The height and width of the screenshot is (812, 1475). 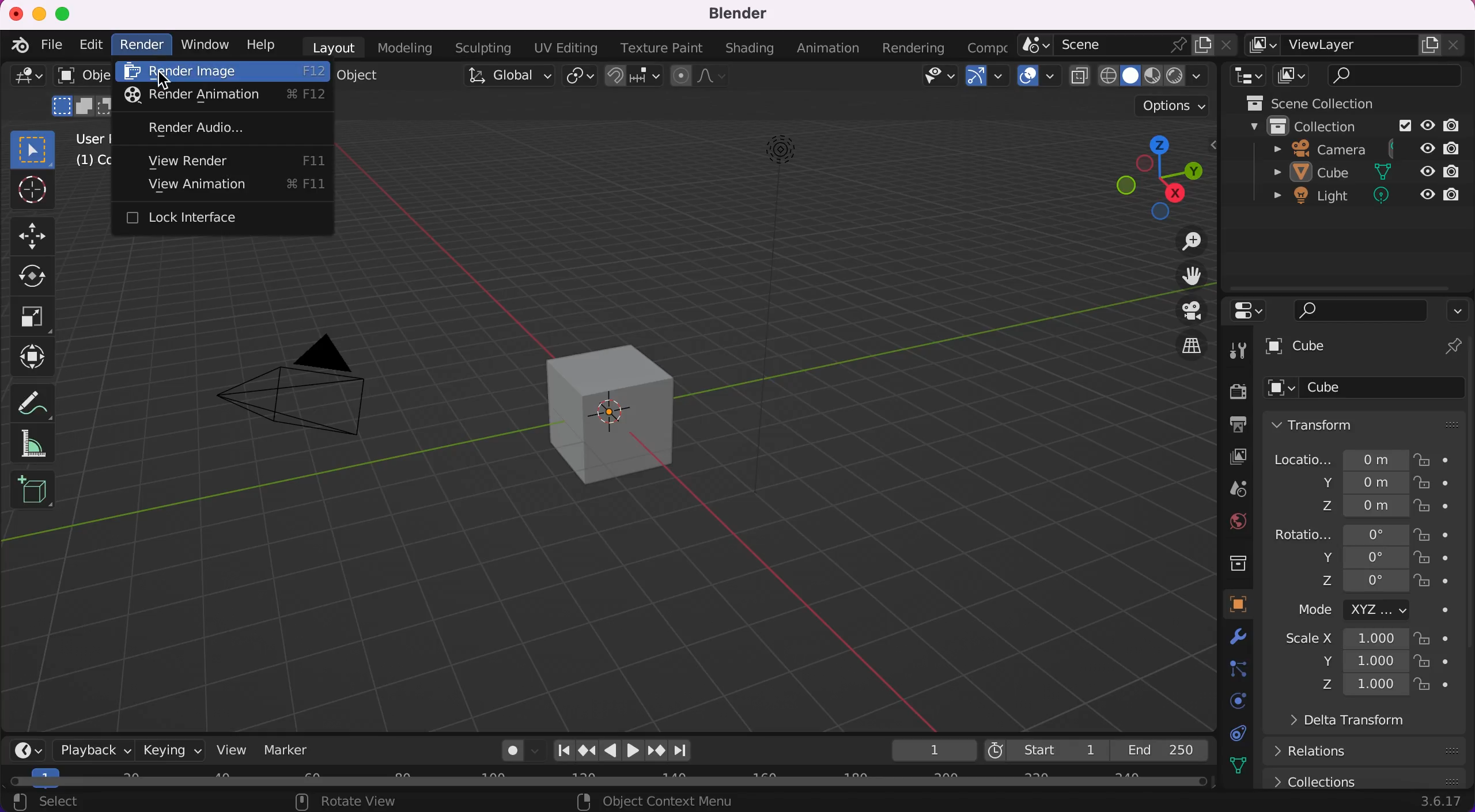 I want to click on shortcut, click and drag, so click(x=1156, y=176).